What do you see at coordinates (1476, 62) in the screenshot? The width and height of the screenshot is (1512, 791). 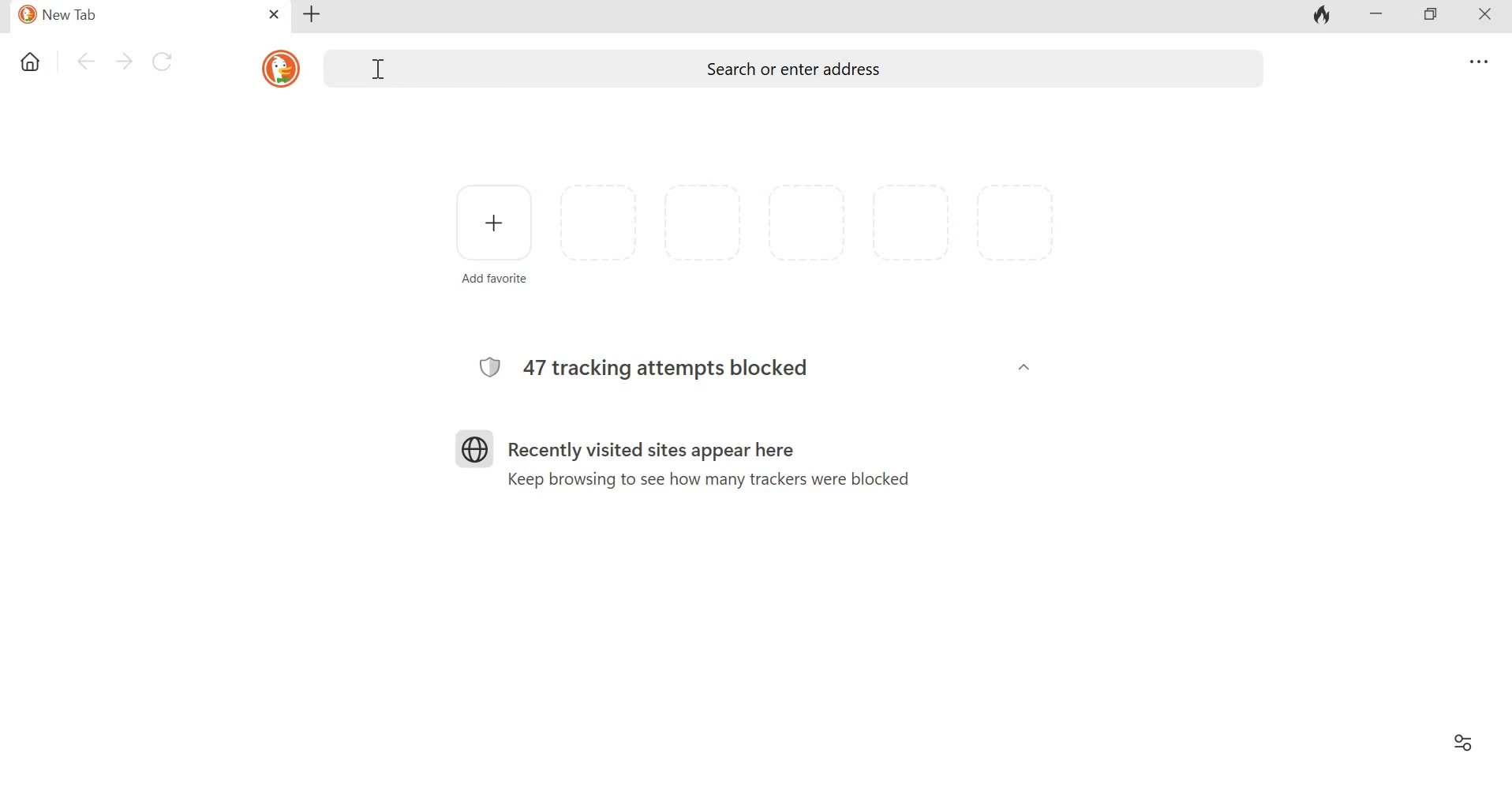 I see `settings` at bounding box center [1476, 62].